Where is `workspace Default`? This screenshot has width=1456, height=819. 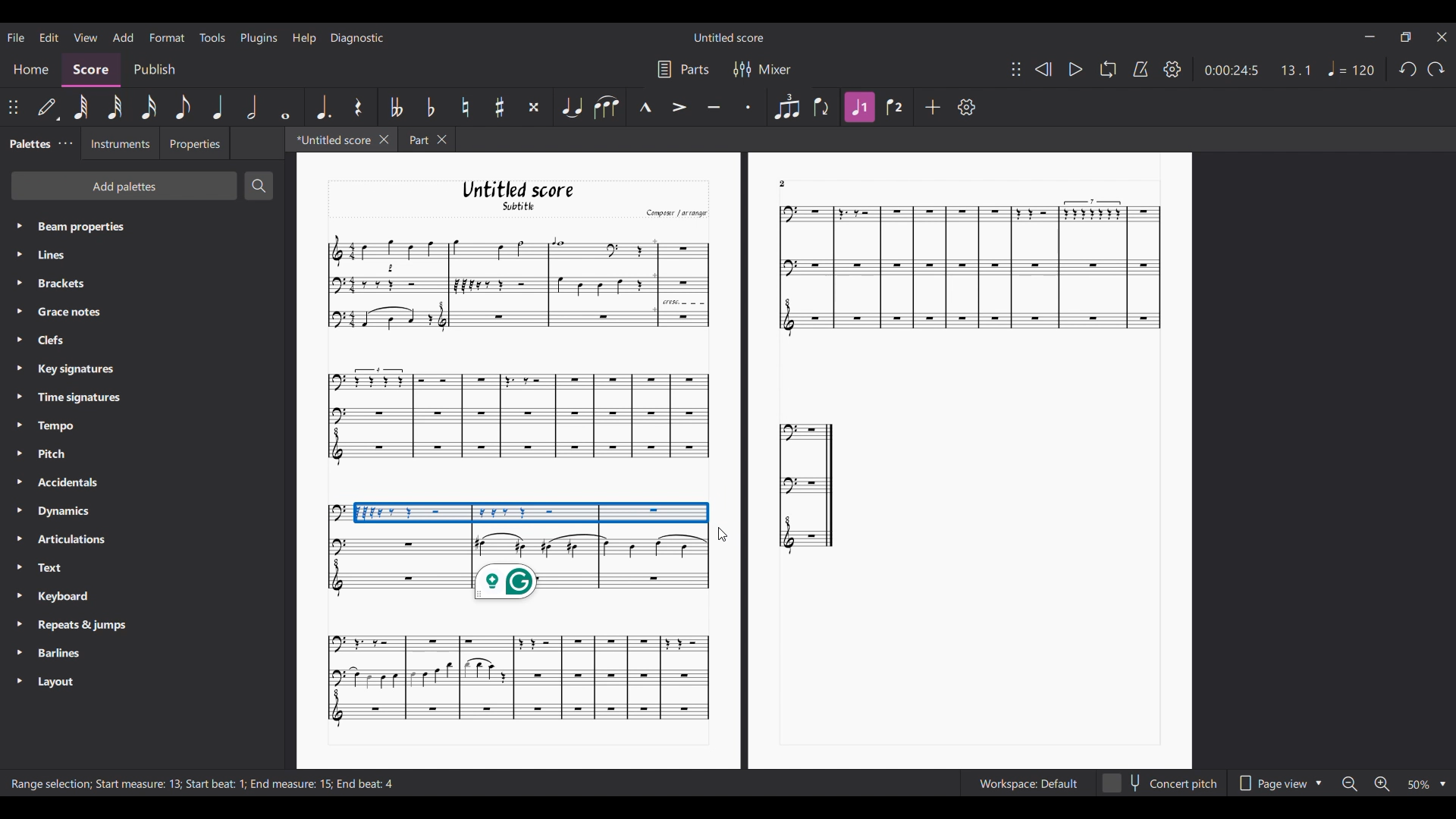
workspace Default is located at coordinates (1025, 784).